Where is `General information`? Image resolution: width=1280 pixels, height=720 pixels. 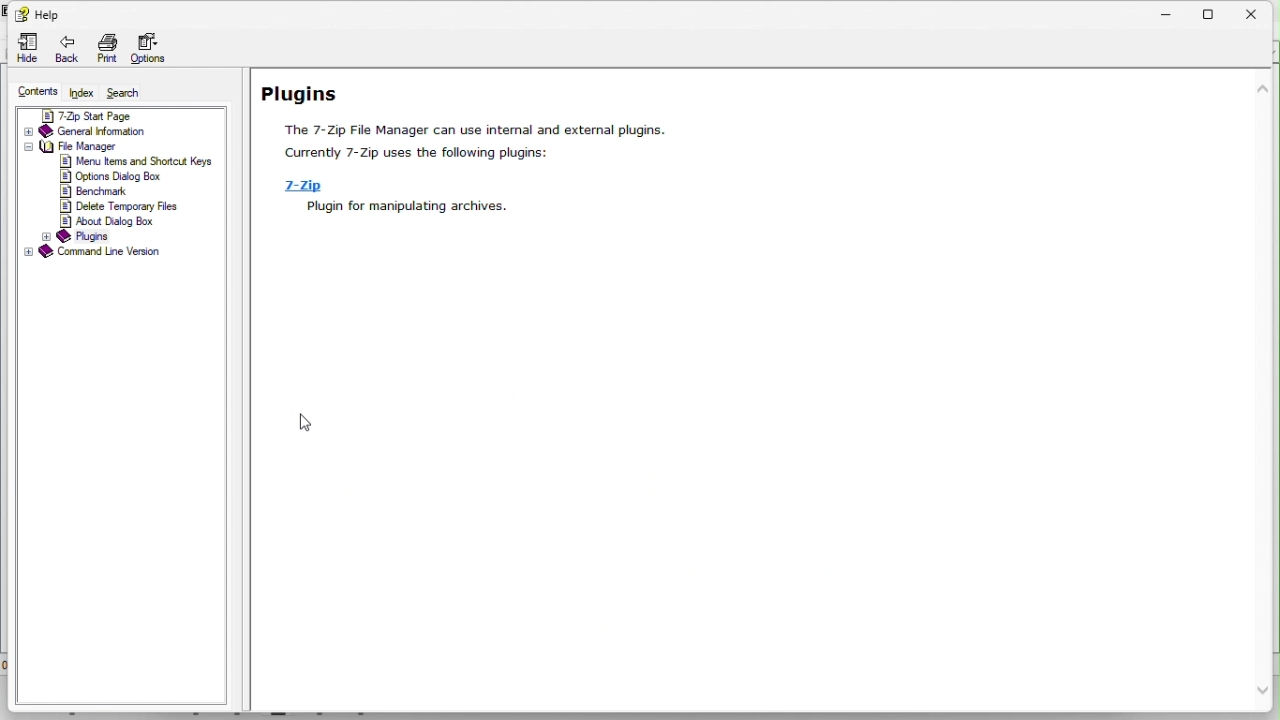
General information is located at coordinates (107, 131).